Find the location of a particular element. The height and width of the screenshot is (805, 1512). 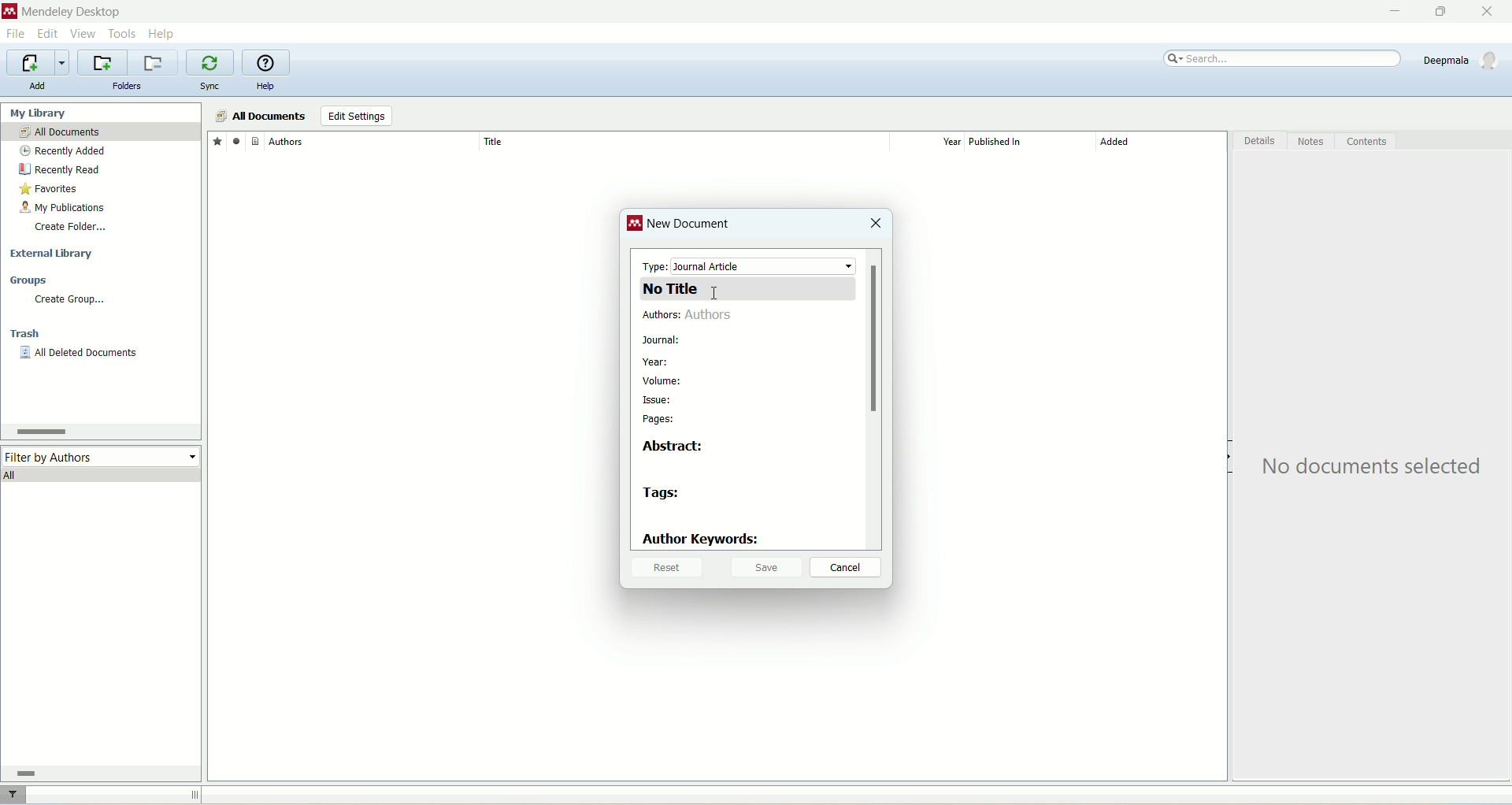

create a new folder is located at coordinates (102, 63).